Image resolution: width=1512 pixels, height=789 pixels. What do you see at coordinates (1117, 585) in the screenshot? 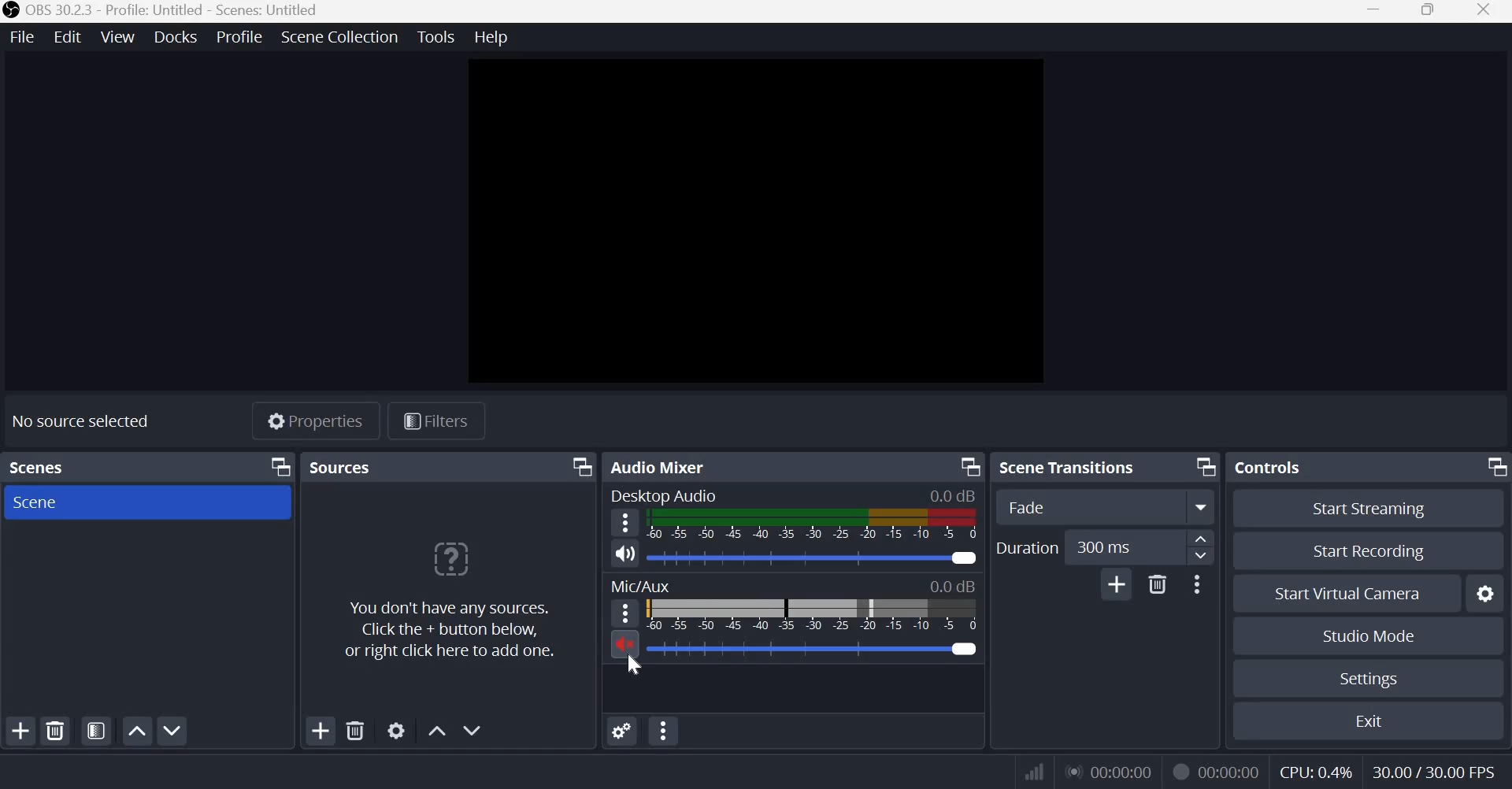
I see `Add Transition` at bounding box center [1117, 585].